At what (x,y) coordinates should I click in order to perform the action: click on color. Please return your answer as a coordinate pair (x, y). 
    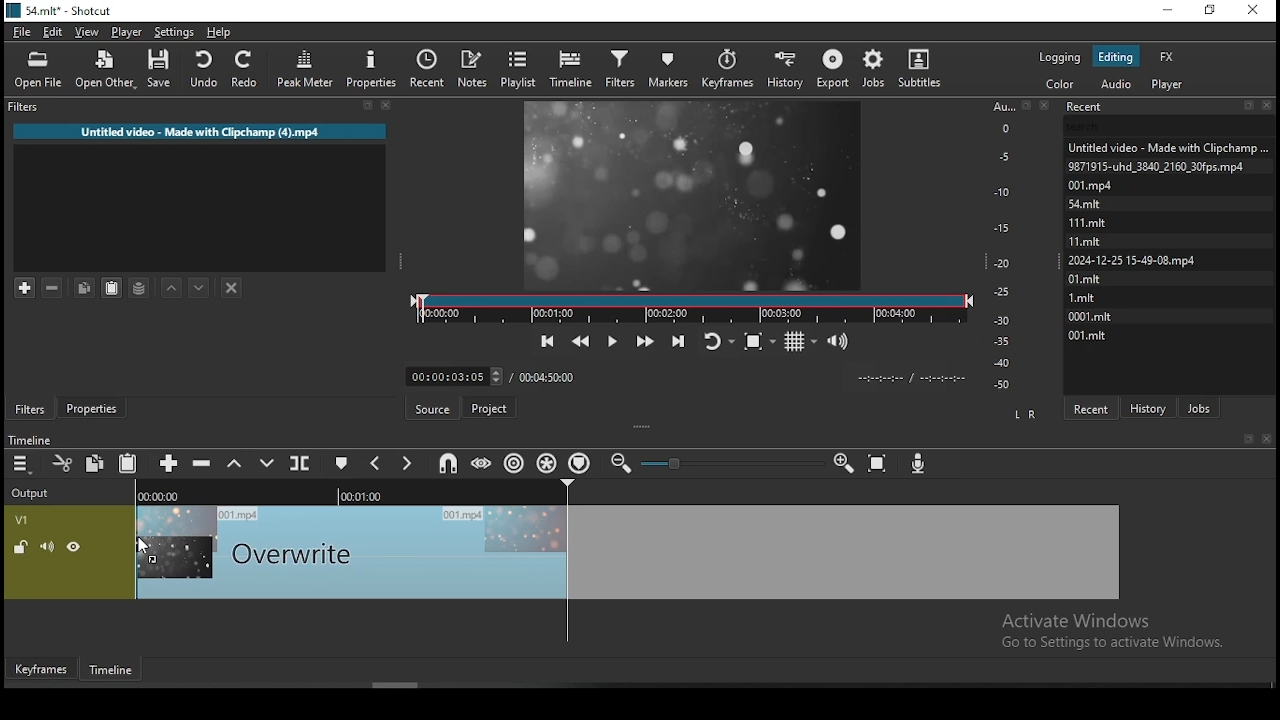
    Looking at the image, I should click on (1061, 83).